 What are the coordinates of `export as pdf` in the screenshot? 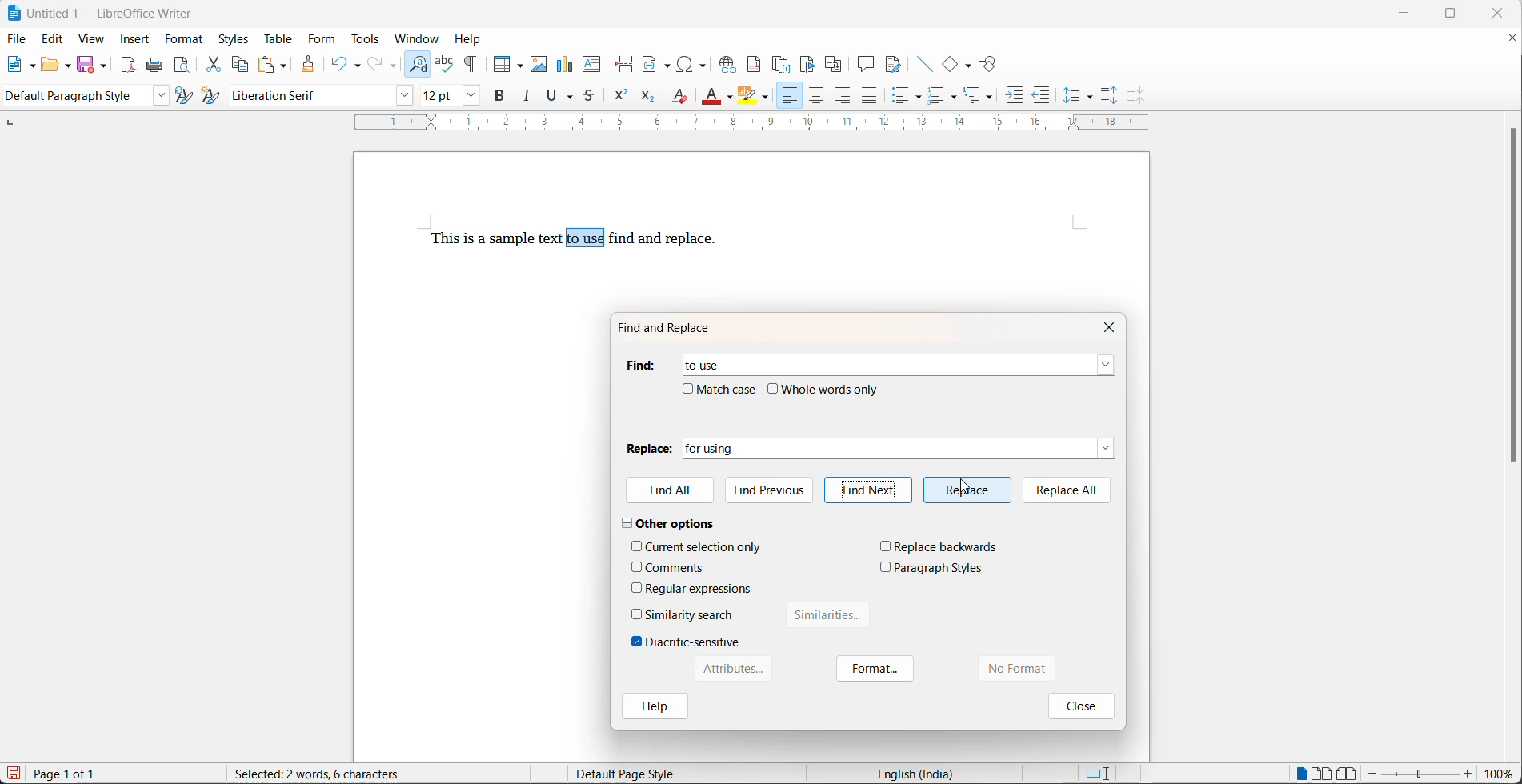 It's located at (128, 64).